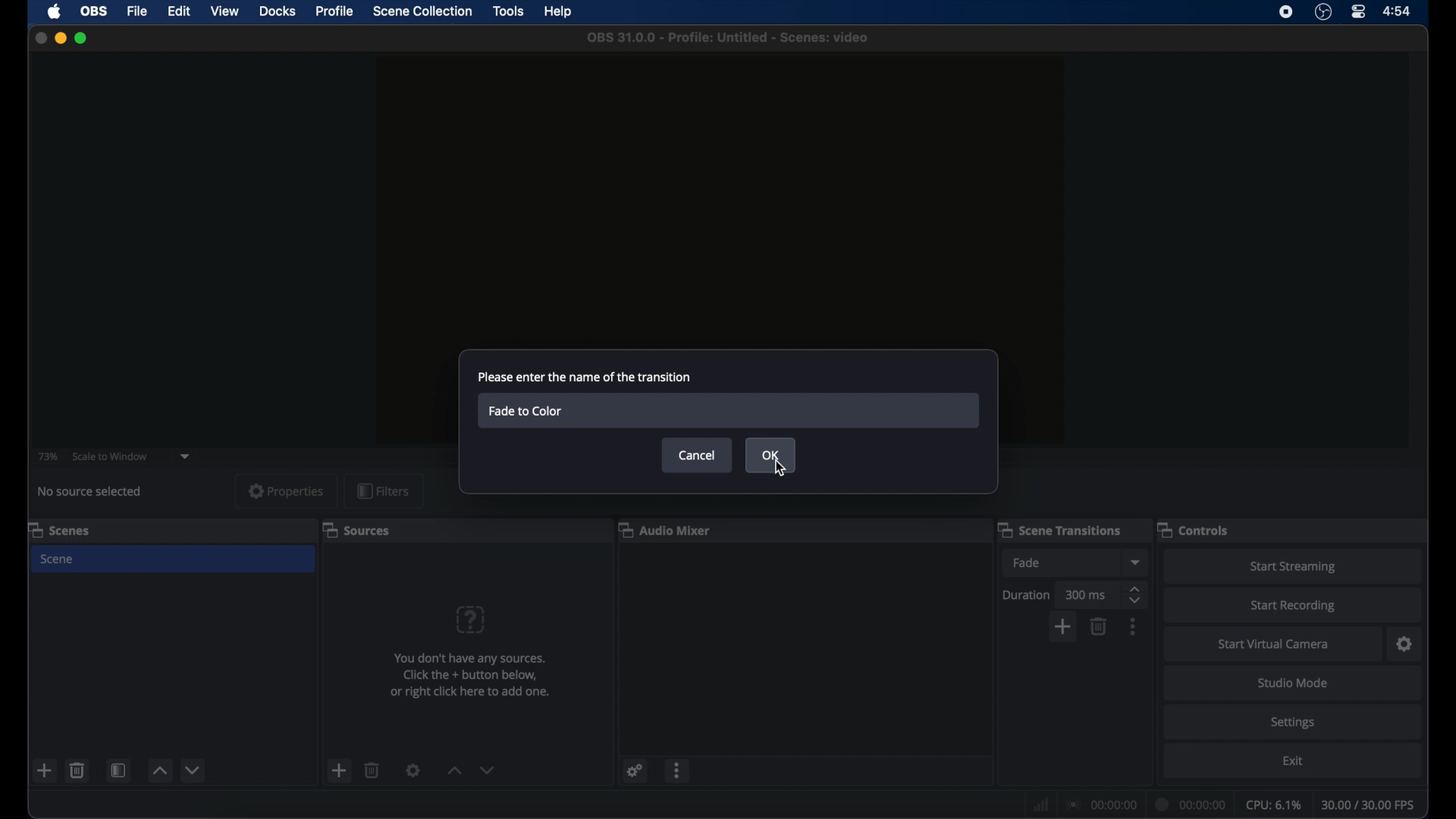  Describe the element at coordinates (1100, 626) in the screenshot. I see `delete` at that location.